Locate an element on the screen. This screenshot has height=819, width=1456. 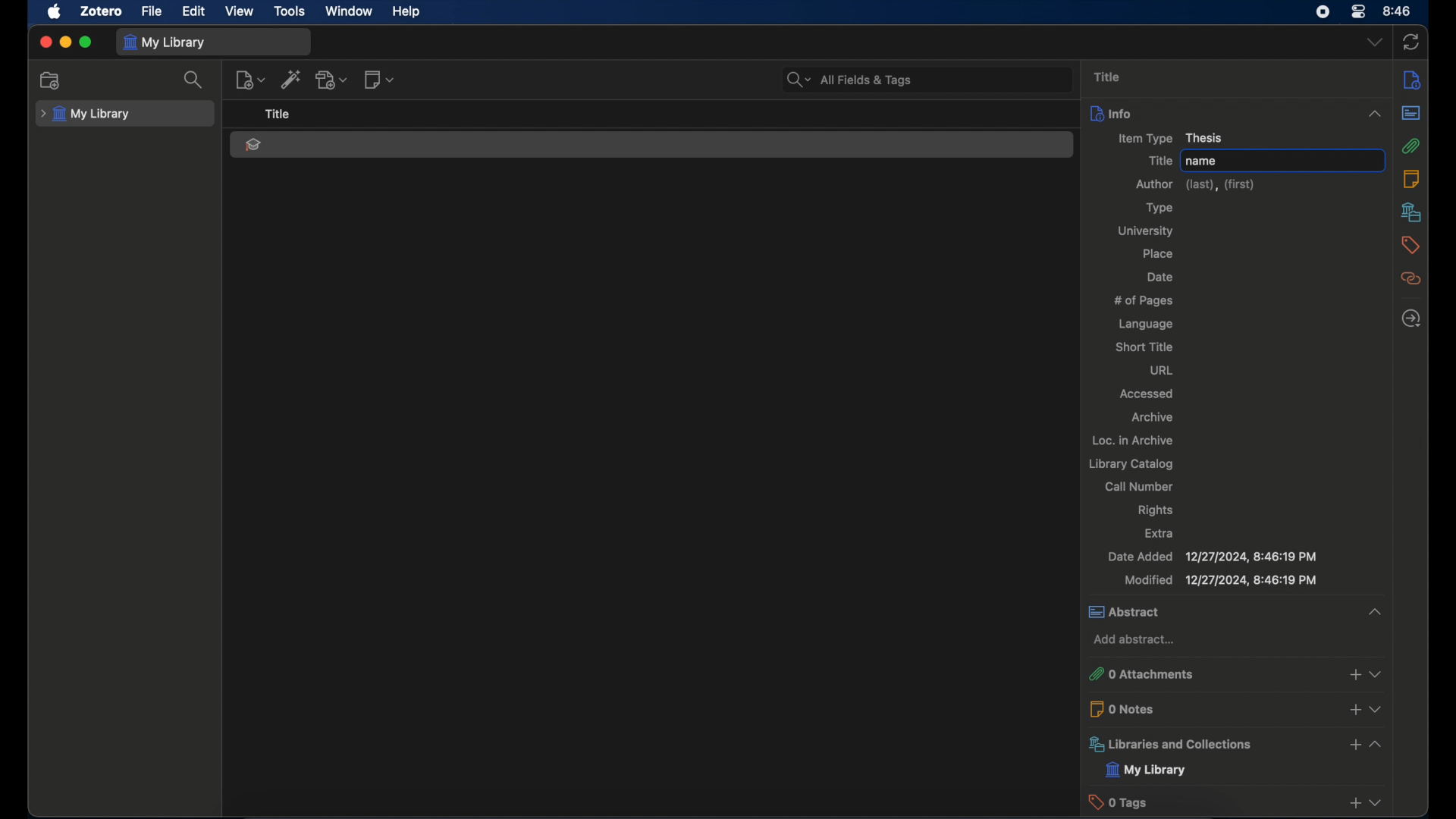
university is located at coordinates (1148, 231).